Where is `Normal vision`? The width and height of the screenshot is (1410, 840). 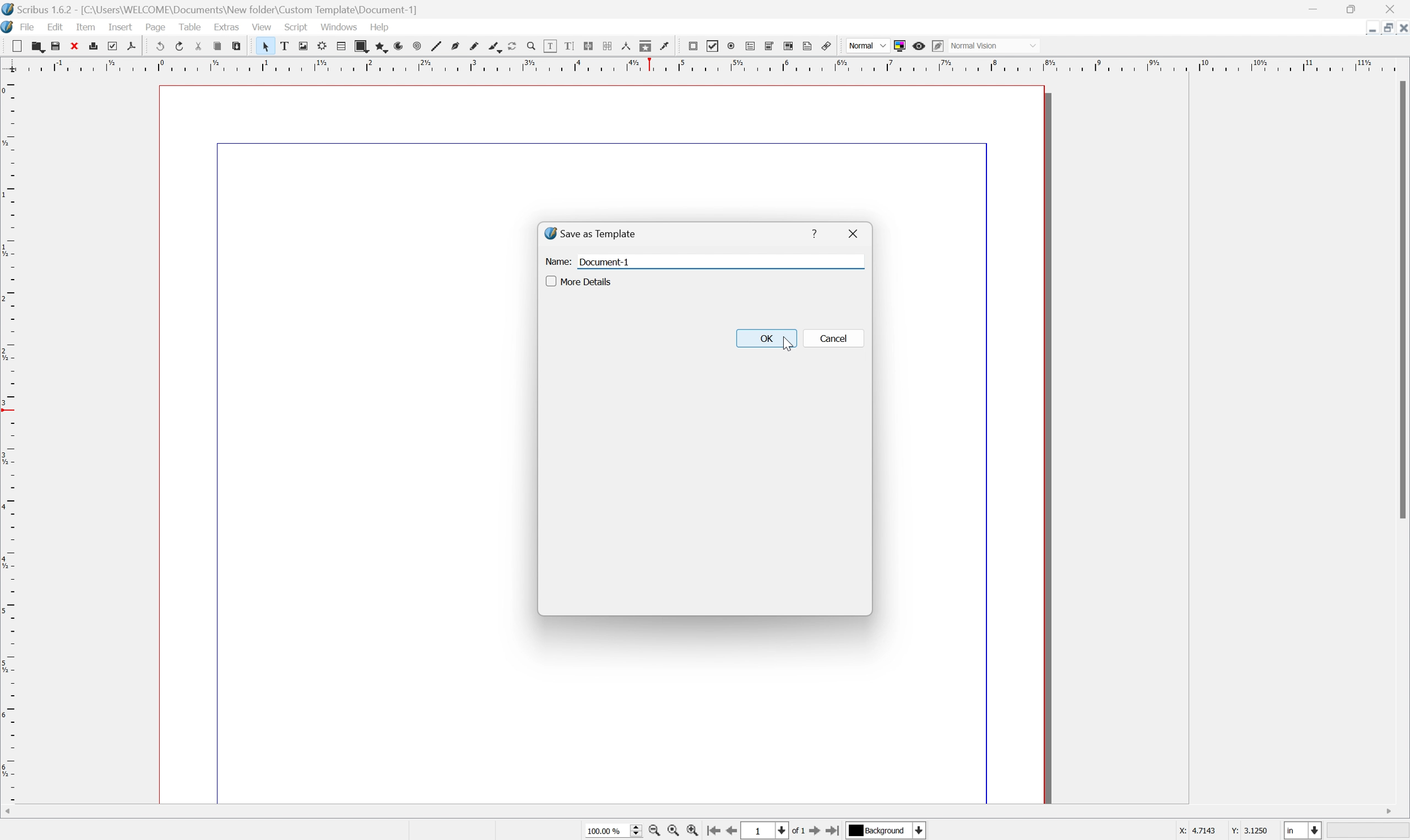
Normal vision is located at coordinates (1004, 45).